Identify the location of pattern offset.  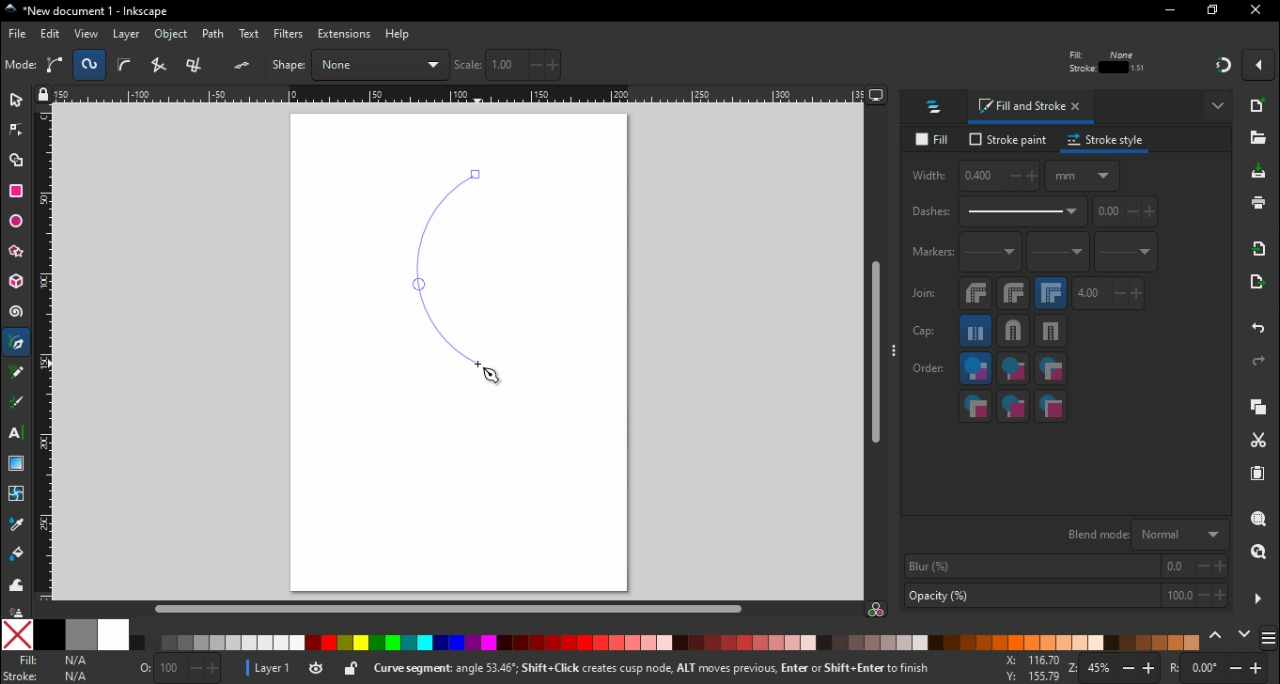
(1127, 215).